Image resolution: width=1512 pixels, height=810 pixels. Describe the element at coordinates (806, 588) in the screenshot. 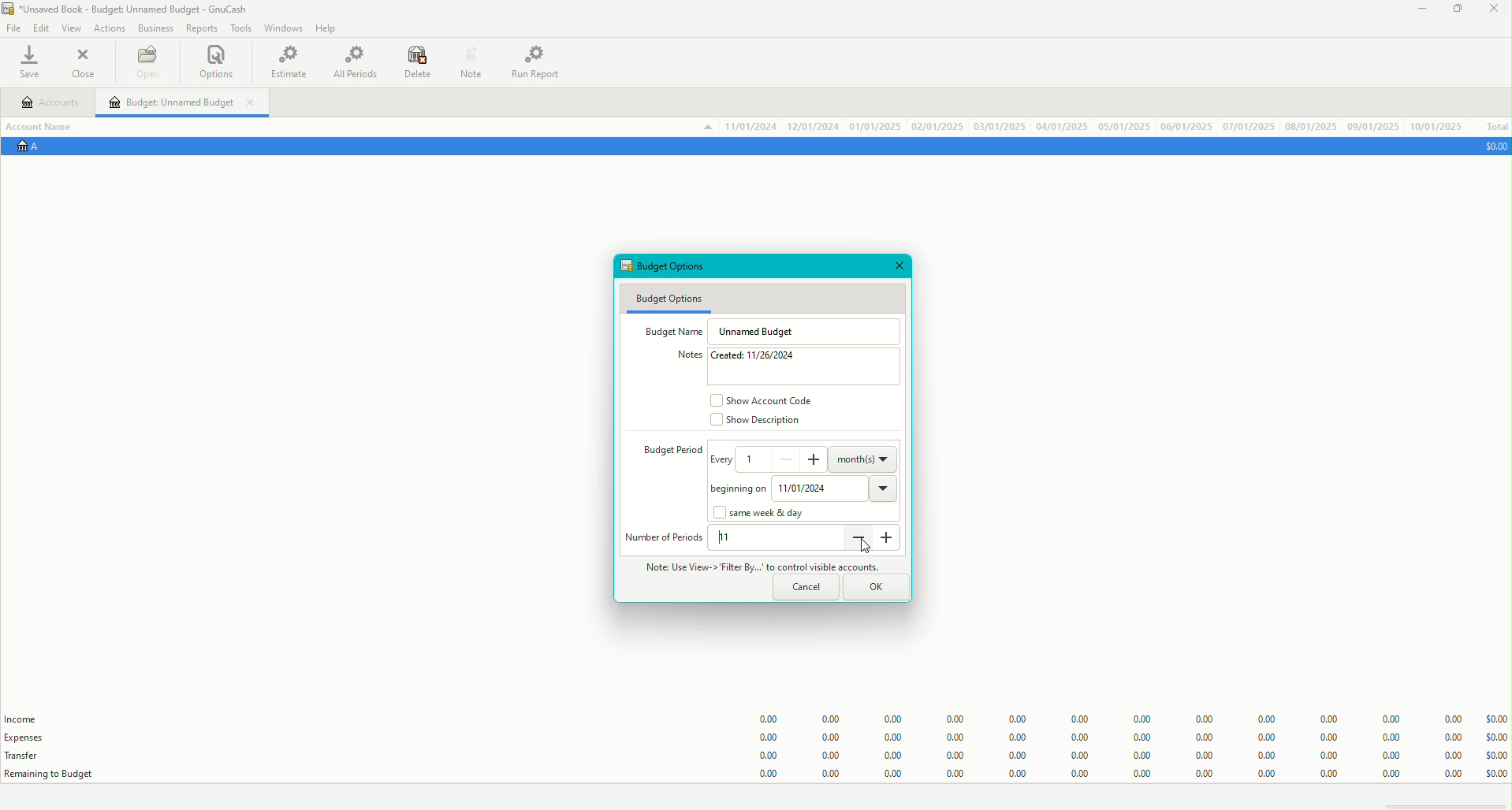

I see `Cancel` at that location.